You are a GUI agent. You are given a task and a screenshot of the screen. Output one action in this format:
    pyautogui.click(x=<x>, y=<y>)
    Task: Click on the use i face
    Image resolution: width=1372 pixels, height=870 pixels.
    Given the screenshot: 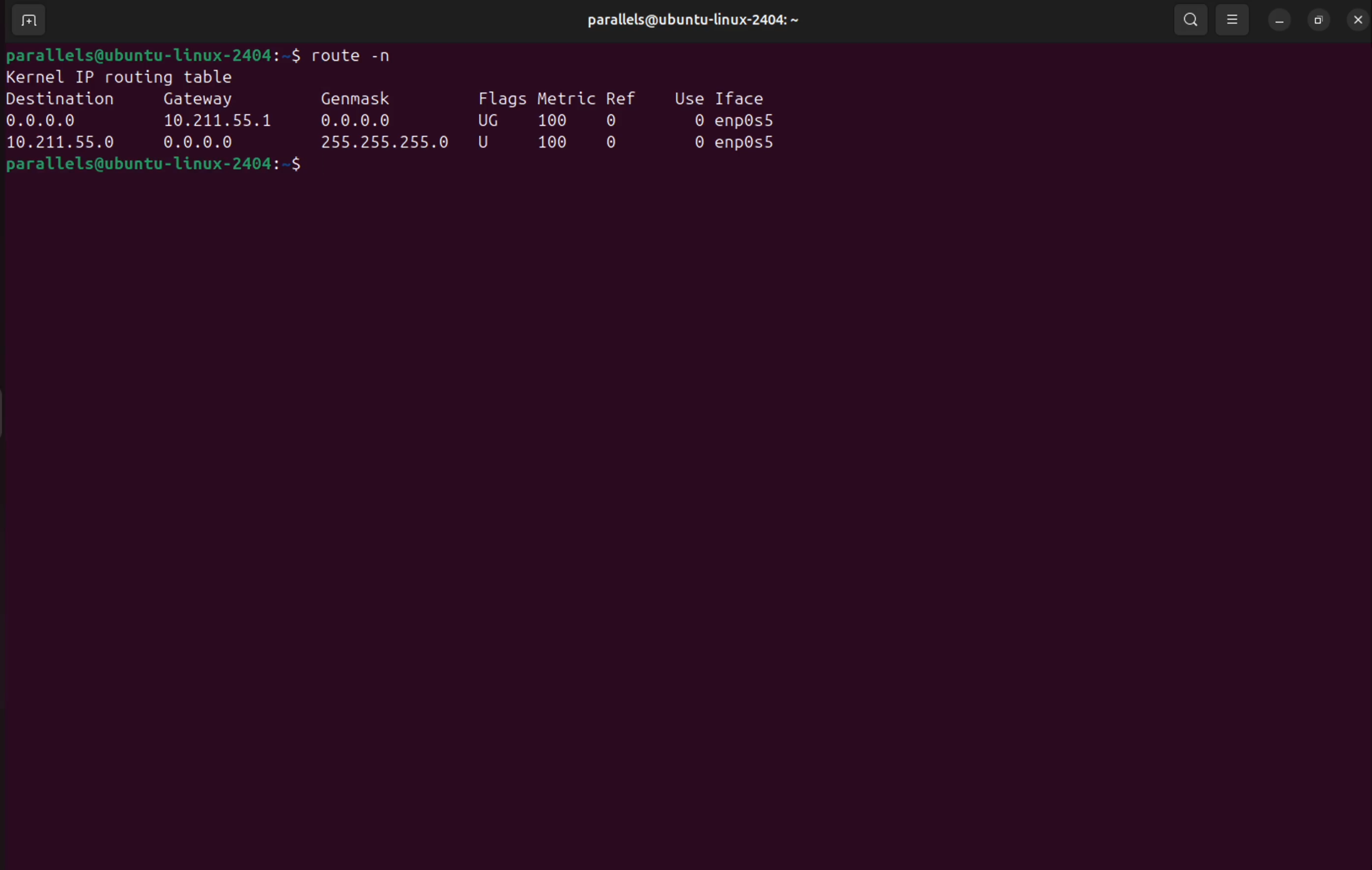 What is the action you would take?
    pyautogui.click(x=726, y=97)
    